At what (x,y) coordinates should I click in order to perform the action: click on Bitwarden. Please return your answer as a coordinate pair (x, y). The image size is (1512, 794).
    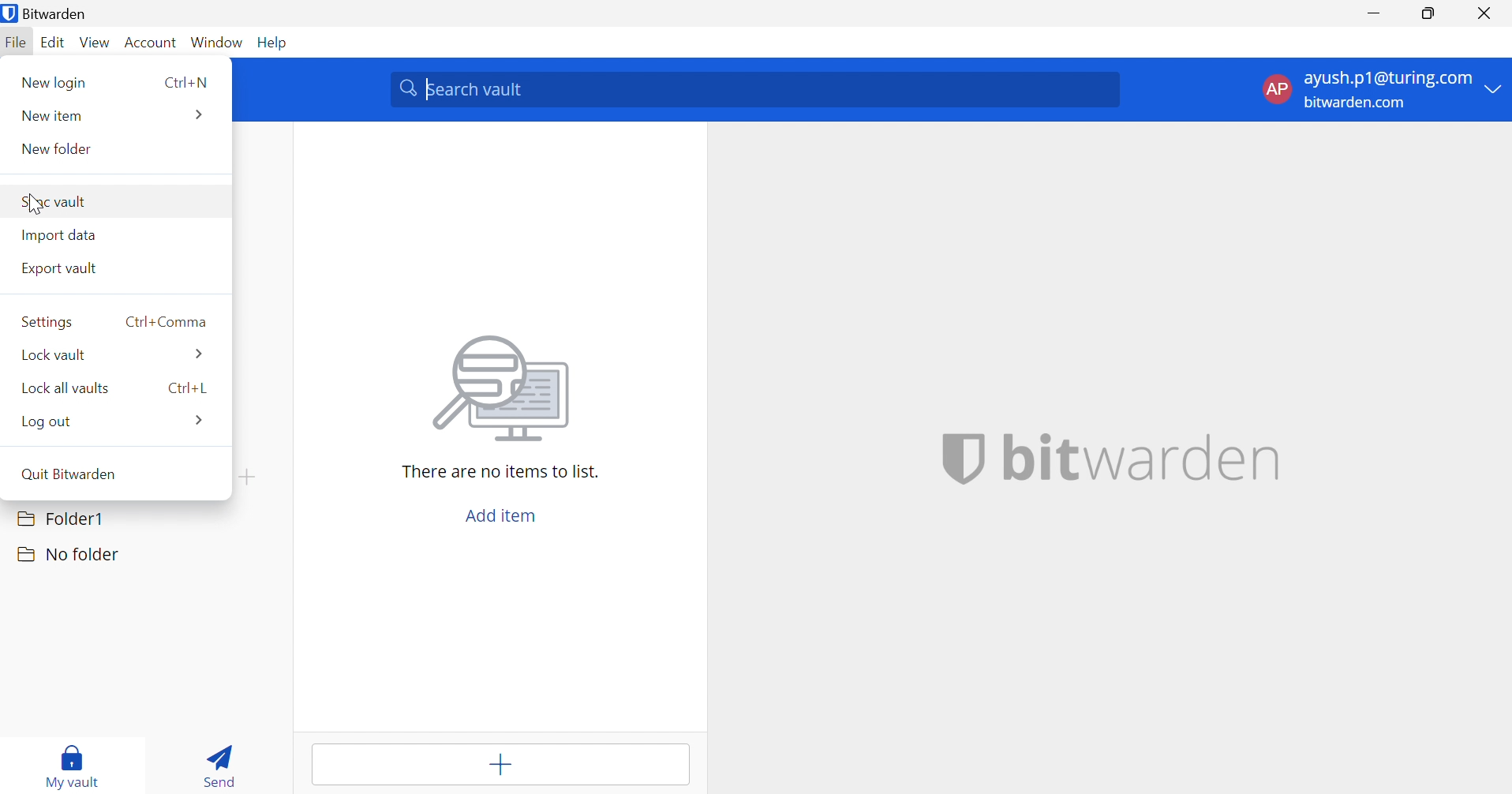
    Looking at the image, I should click on (49, 13).